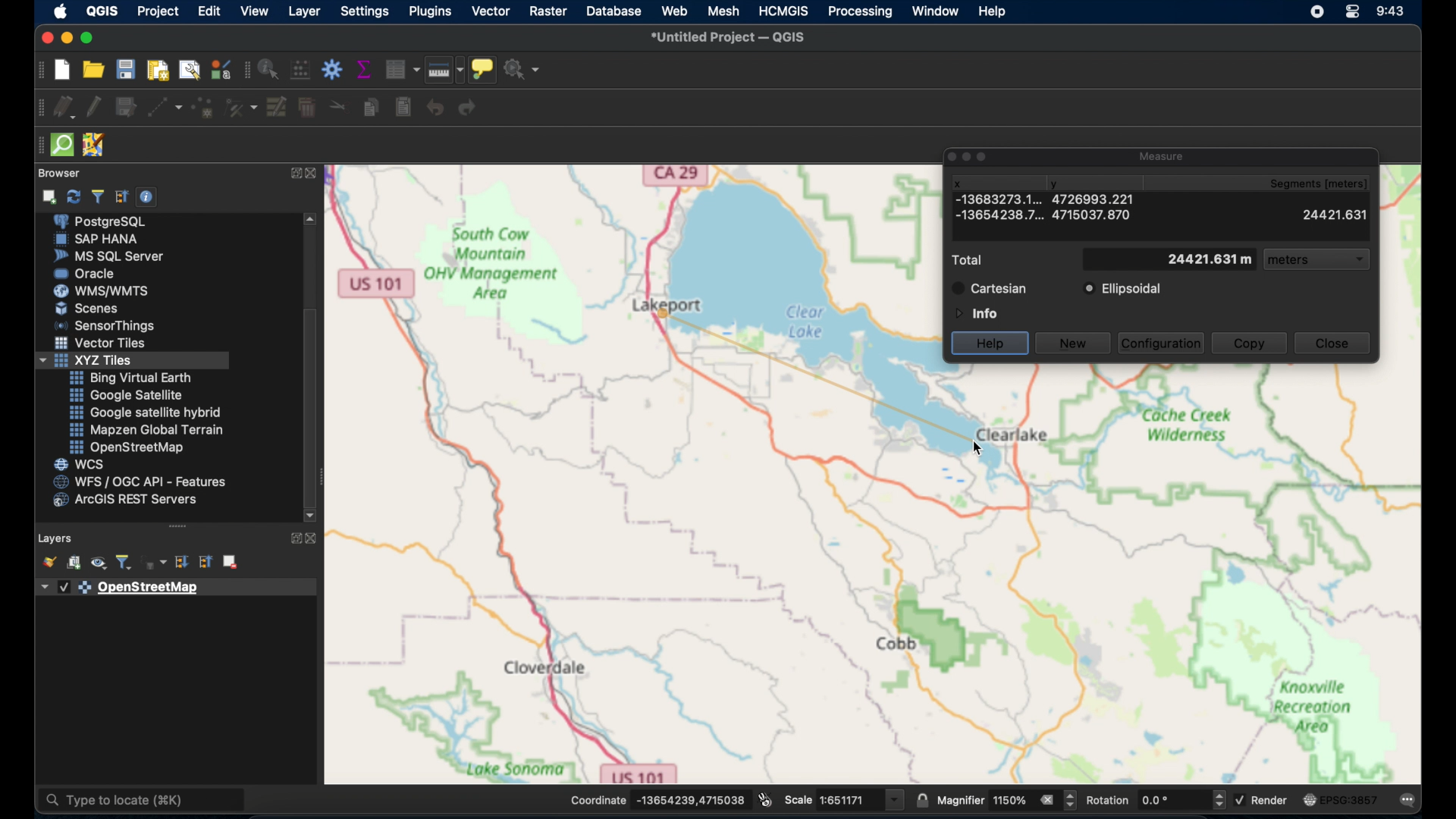 The height and width of the screenshot is (819, 1456). Describe the element at coordinates (1355, 13) in the screenshot. I see `control center` at that location.